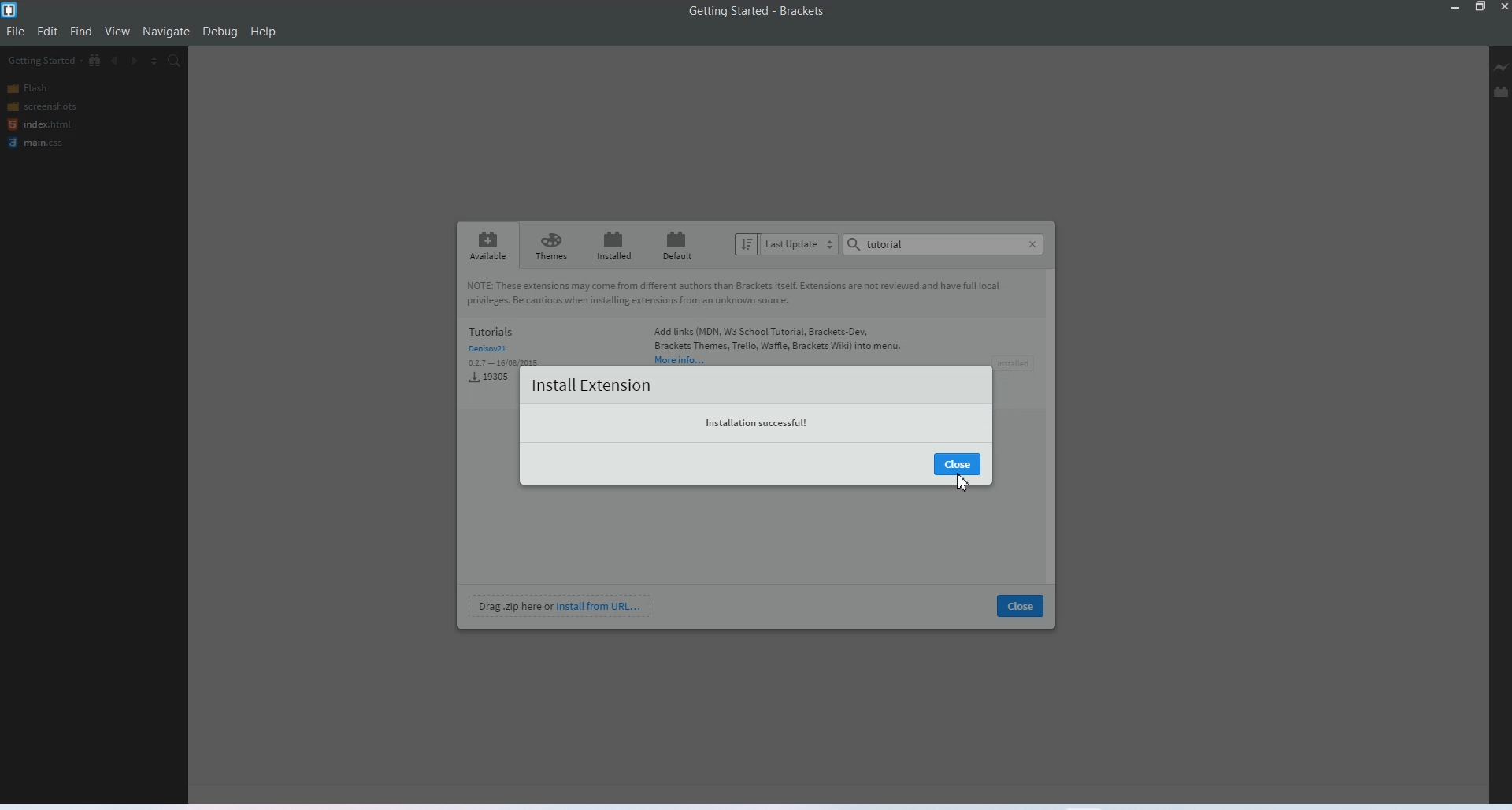 The image size is (1512, 810). Describe the element at coordinates (40, 143) in the screenshot. I see `main.css` at that location.